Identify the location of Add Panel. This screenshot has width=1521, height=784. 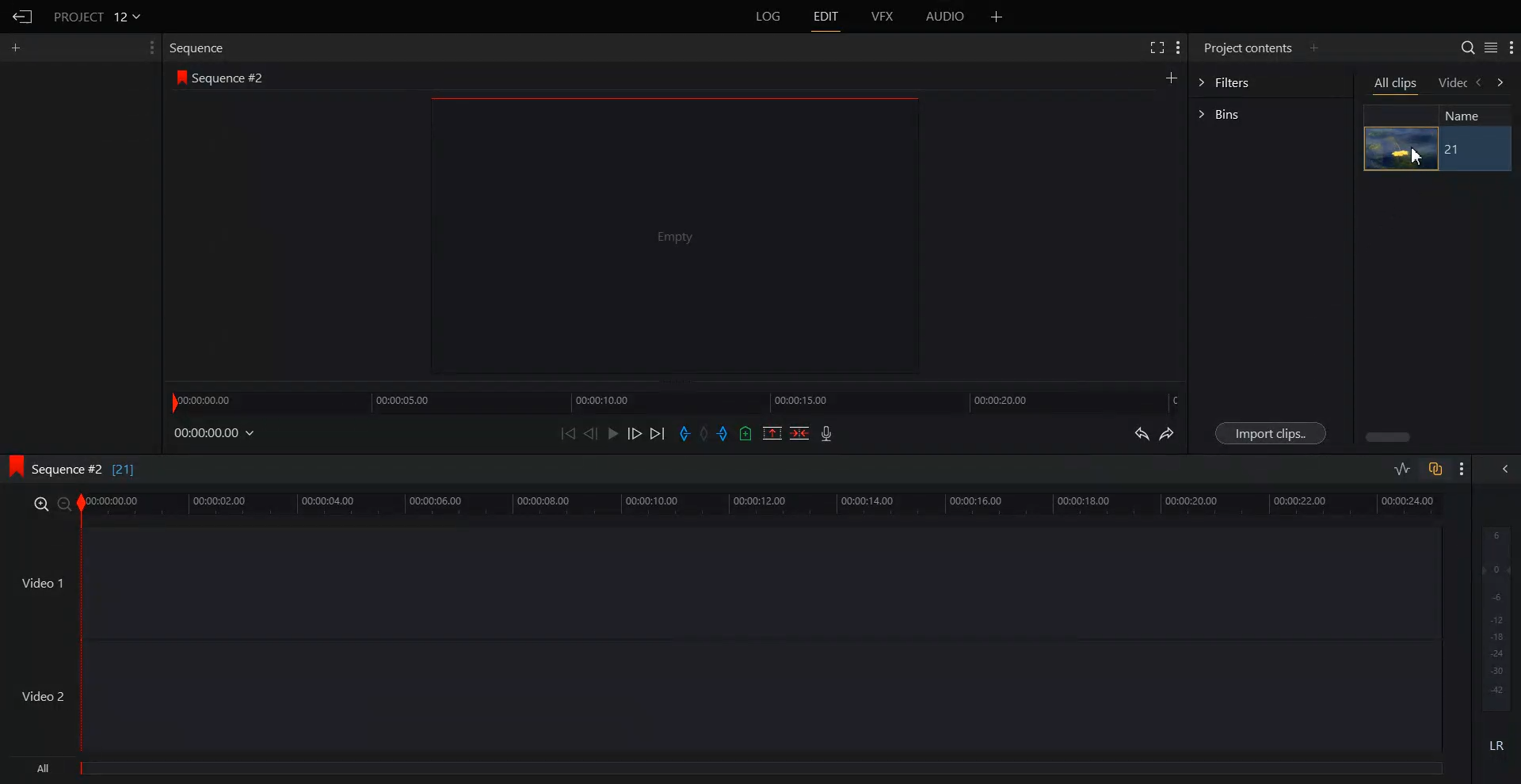
(16, 48).